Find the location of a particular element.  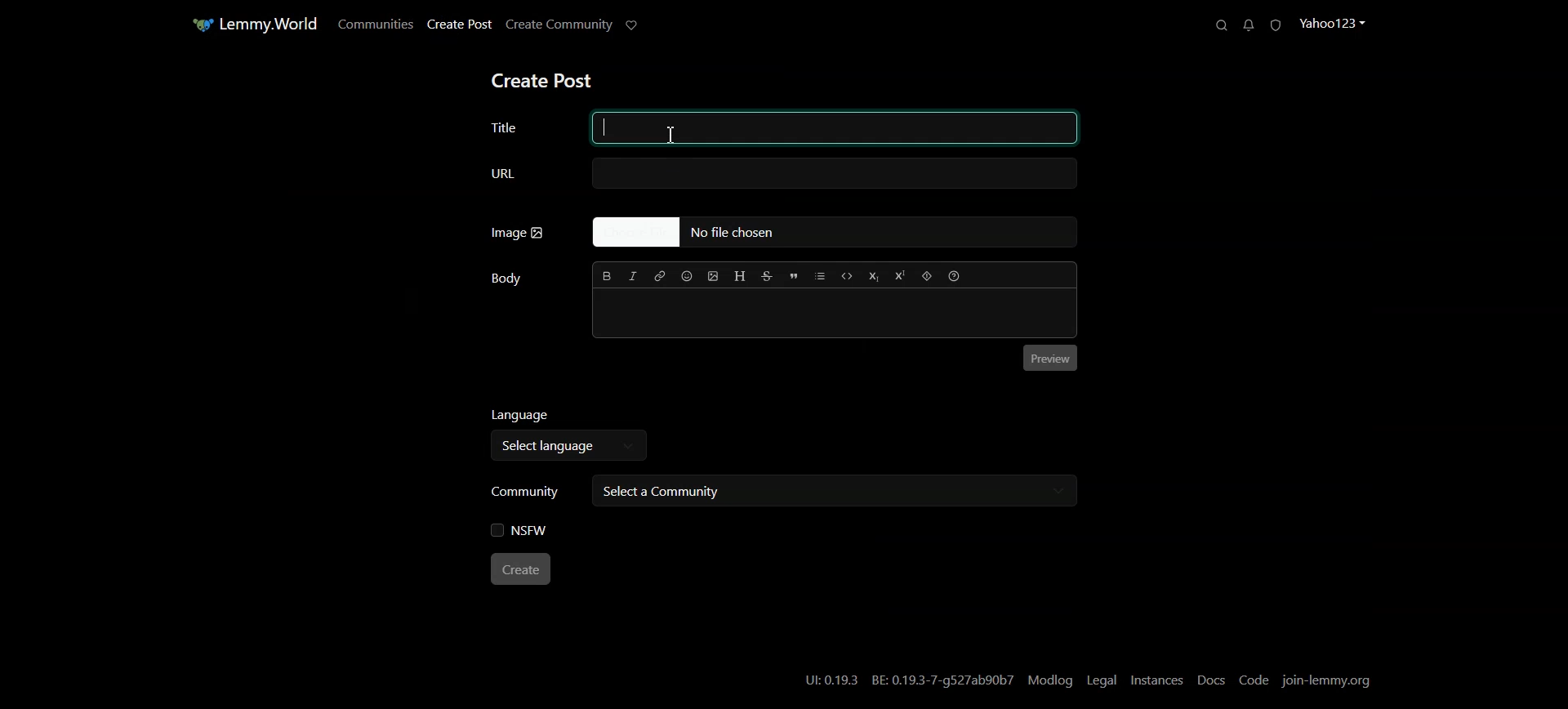

Select a community is located at coordinates (831, 491).